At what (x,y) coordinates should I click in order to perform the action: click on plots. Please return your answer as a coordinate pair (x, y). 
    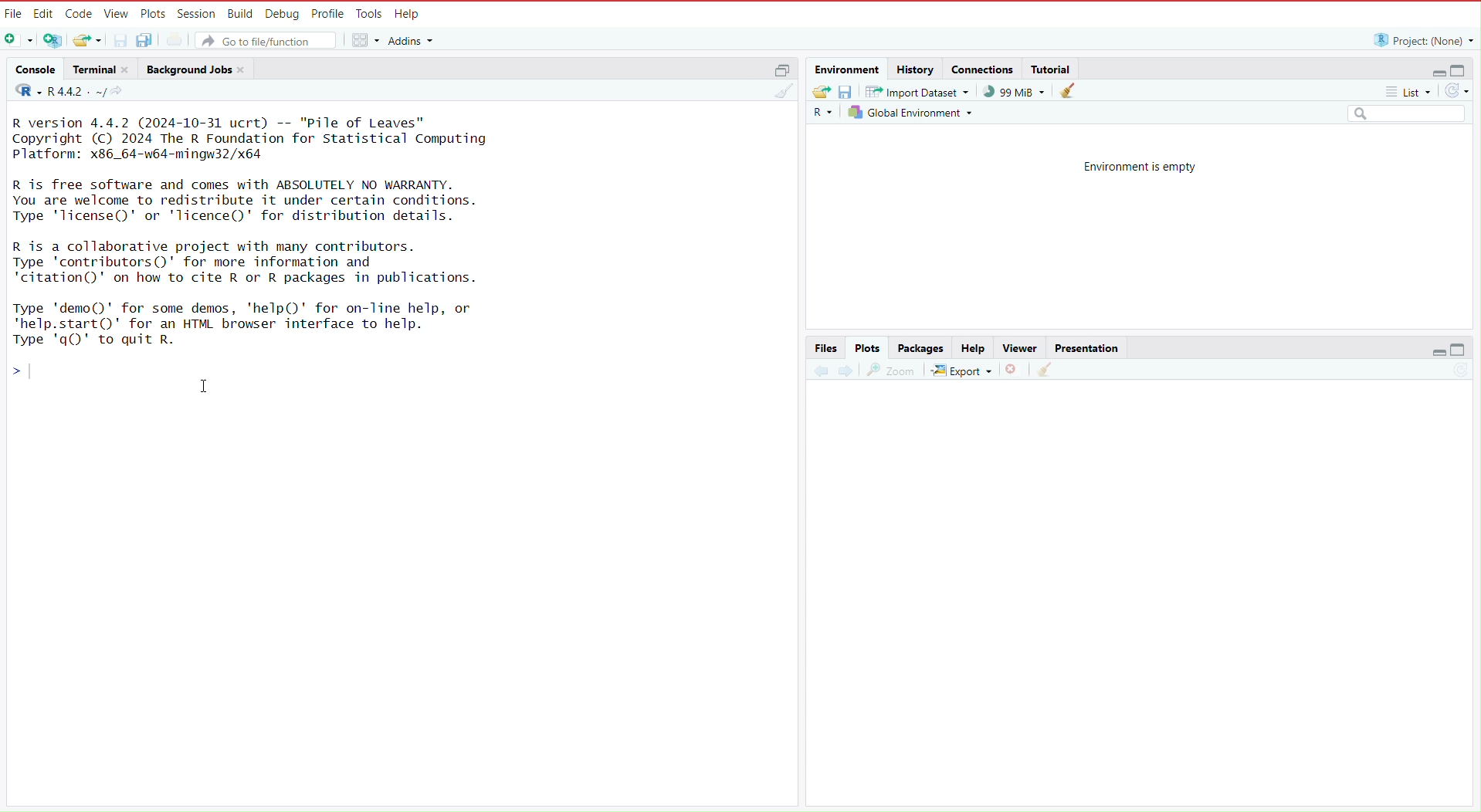
    Looking at the image, I should click on (869, 347).